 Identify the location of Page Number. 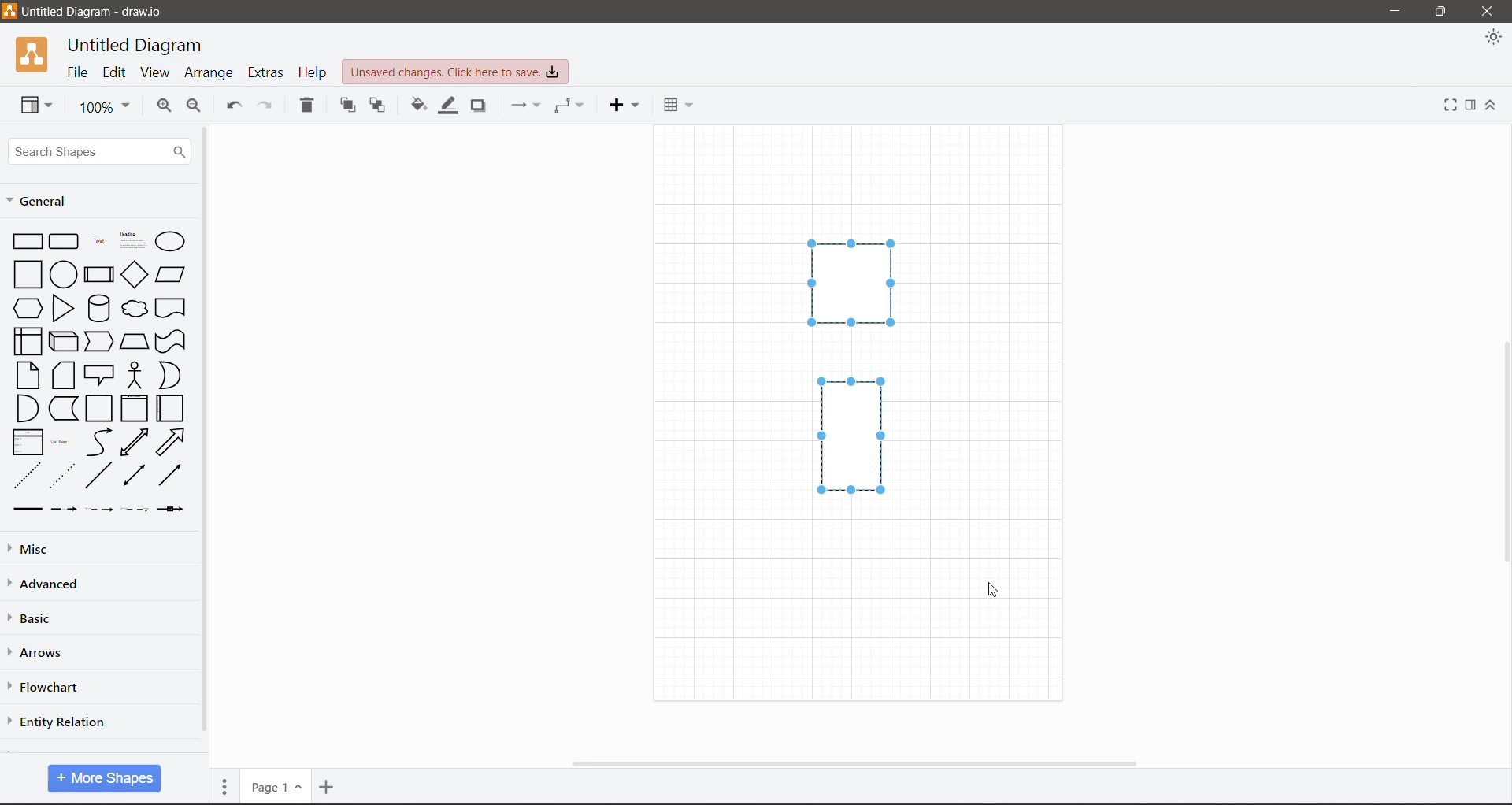
(276, 786).